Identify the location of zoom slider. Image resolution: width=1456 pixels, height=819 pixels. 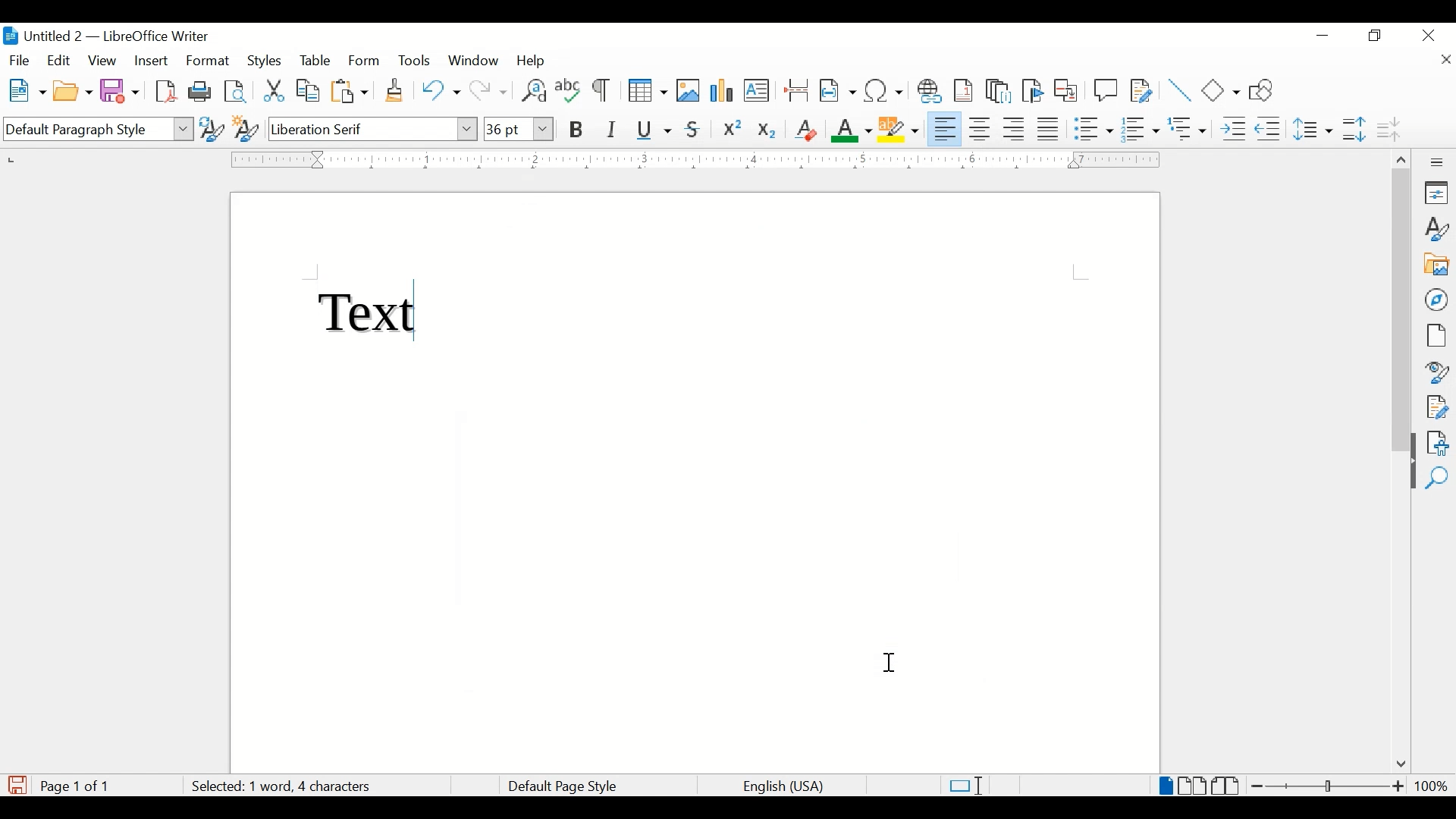
(1329, 786).